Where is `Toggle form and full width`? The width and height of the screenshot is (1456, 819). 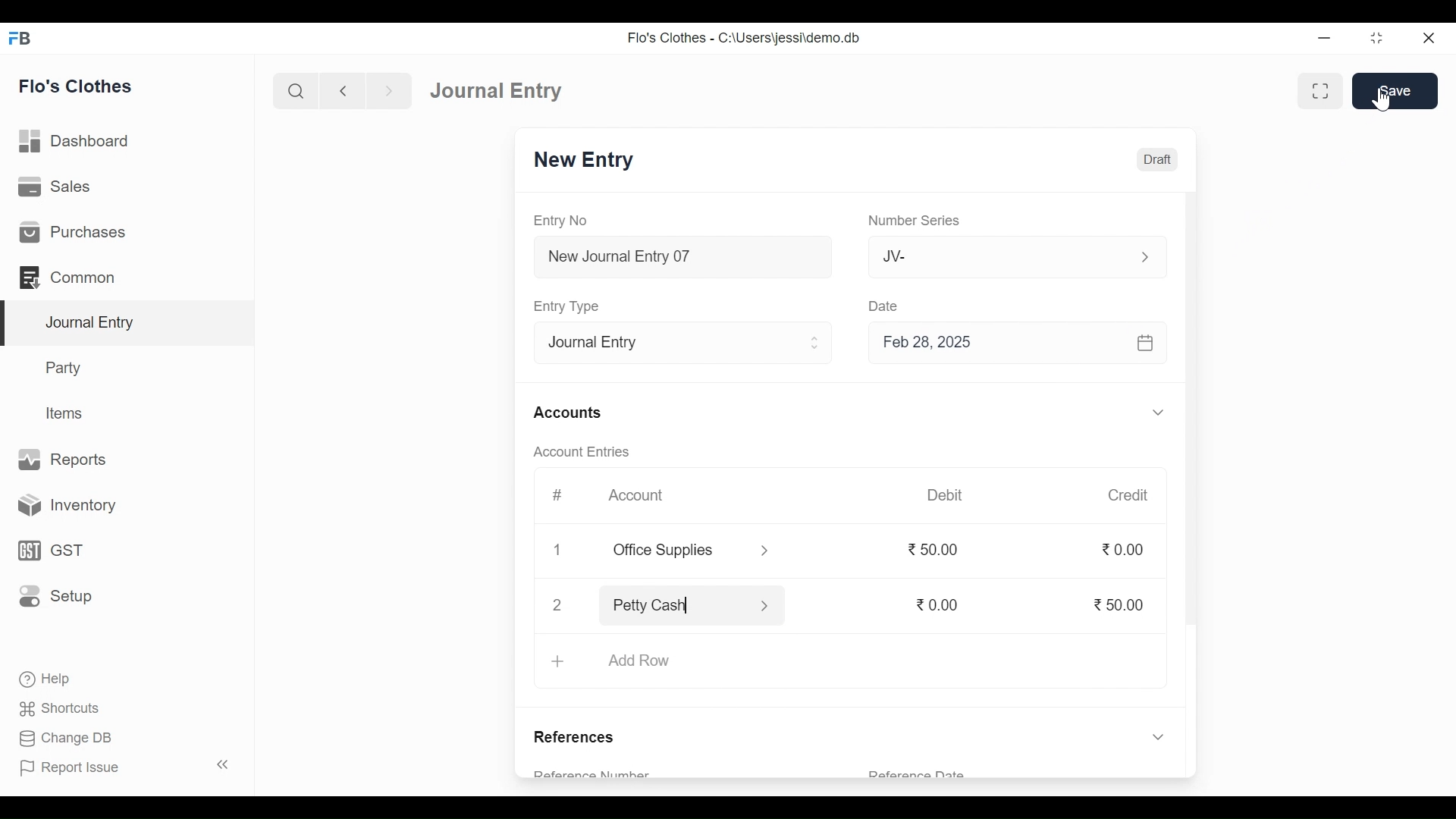 Toggle form and full width is located at coordinates (1320, 92).